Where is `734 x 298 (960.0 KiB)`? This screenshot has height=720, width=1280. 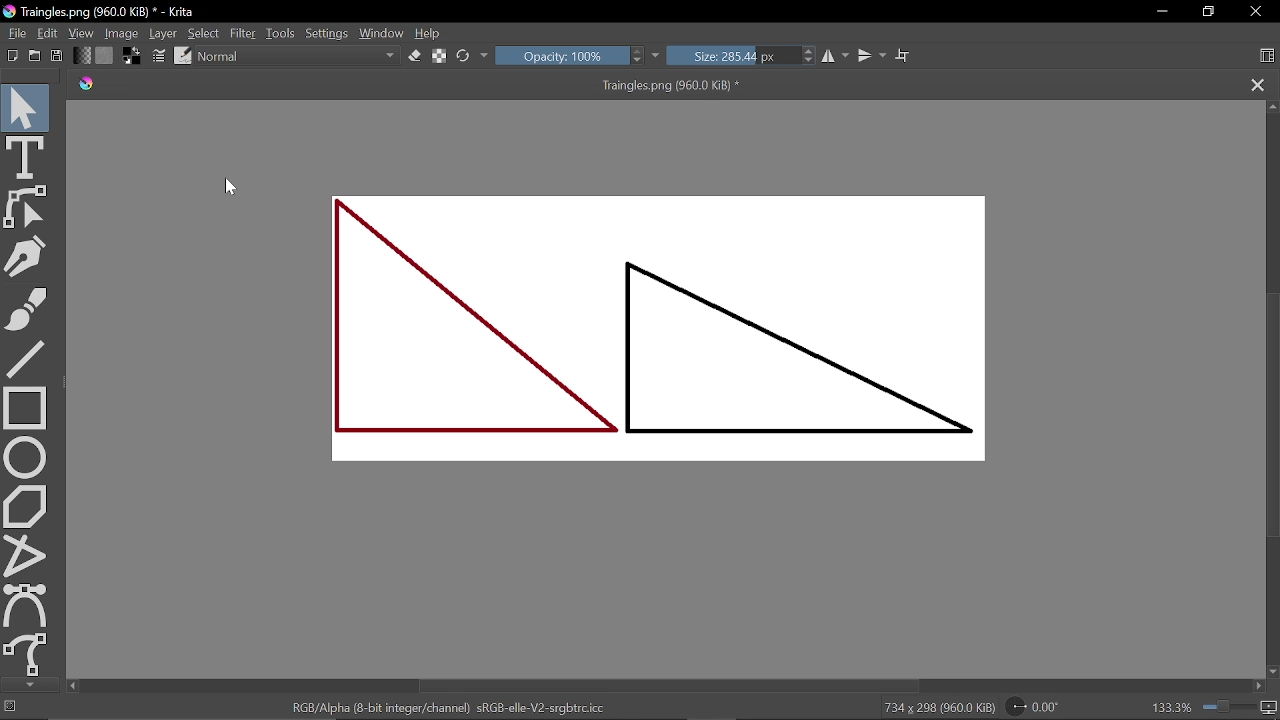 734 x 298 (960.0 KiB) is located at coordinates (935, 708).